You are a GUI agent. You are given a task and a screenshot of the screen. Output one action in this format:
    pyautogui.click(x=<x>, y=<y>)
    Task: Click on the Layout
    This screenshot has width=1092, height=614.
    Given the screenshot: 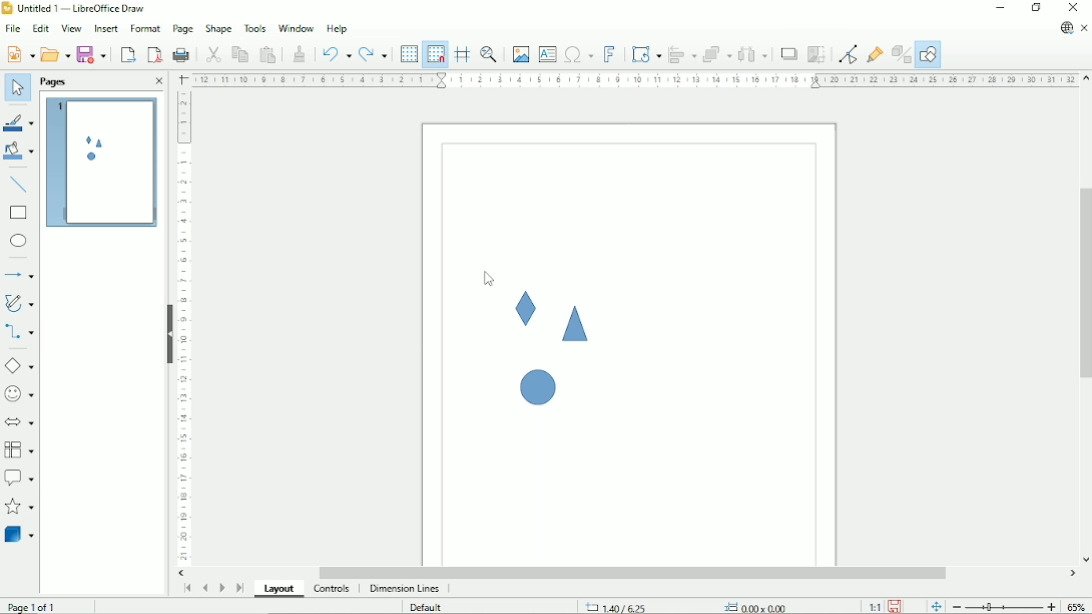 What is the action you would take?
    pyautogui.click(x=279, y=590)
    